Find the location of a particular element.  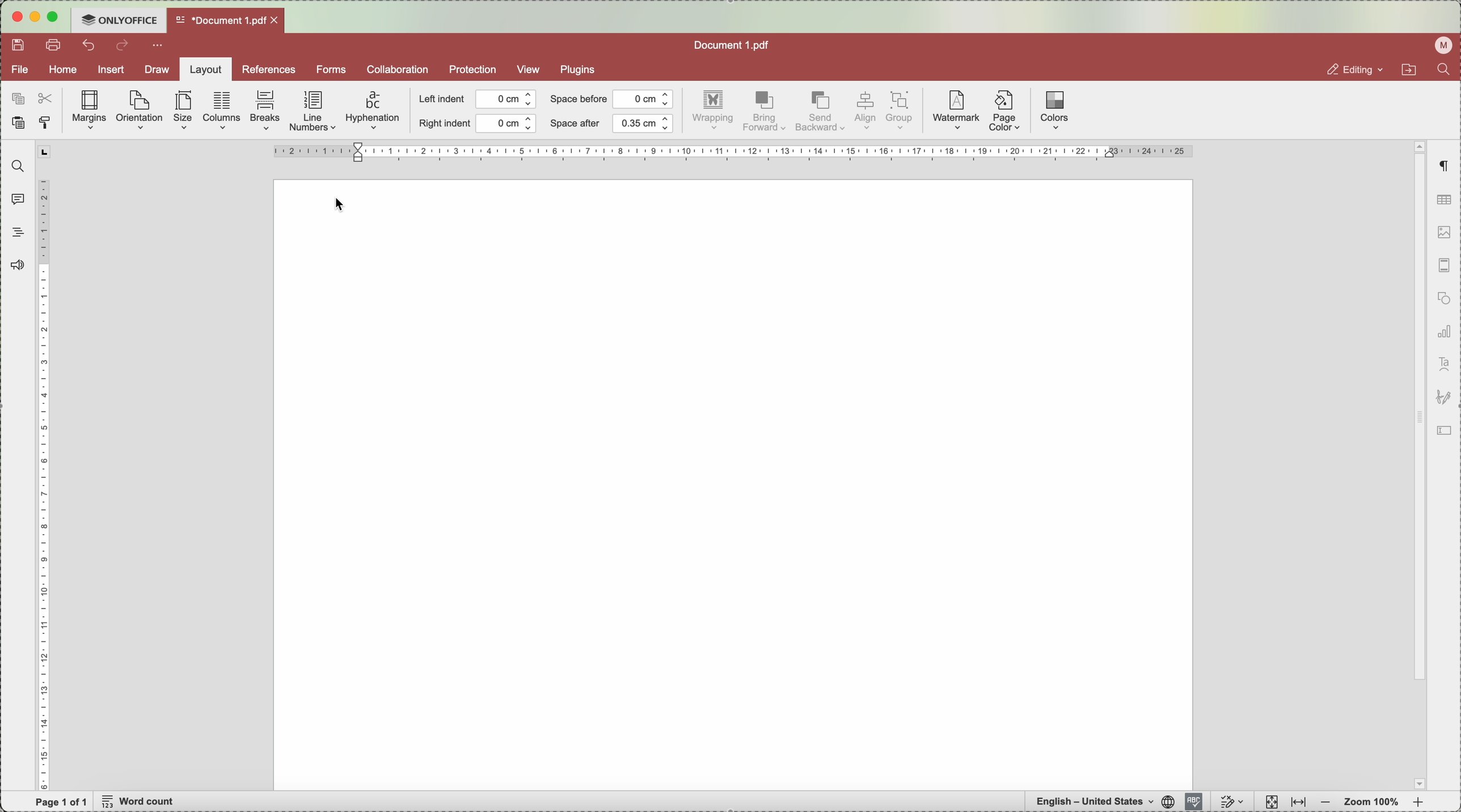

headings is located at coordinates (18, 232).